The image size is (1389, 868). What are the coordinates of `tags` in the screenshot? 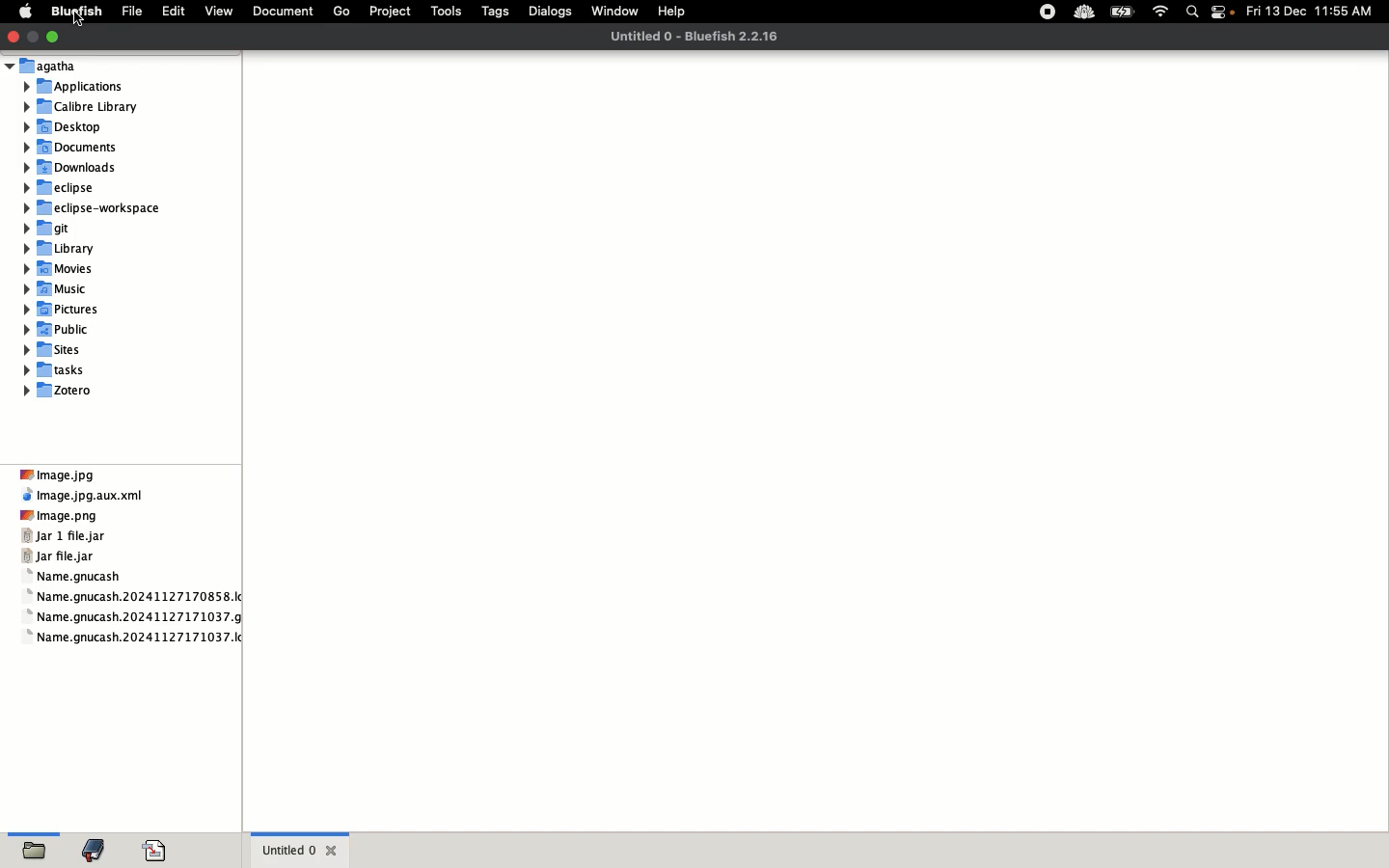 It's located at (497, 14).